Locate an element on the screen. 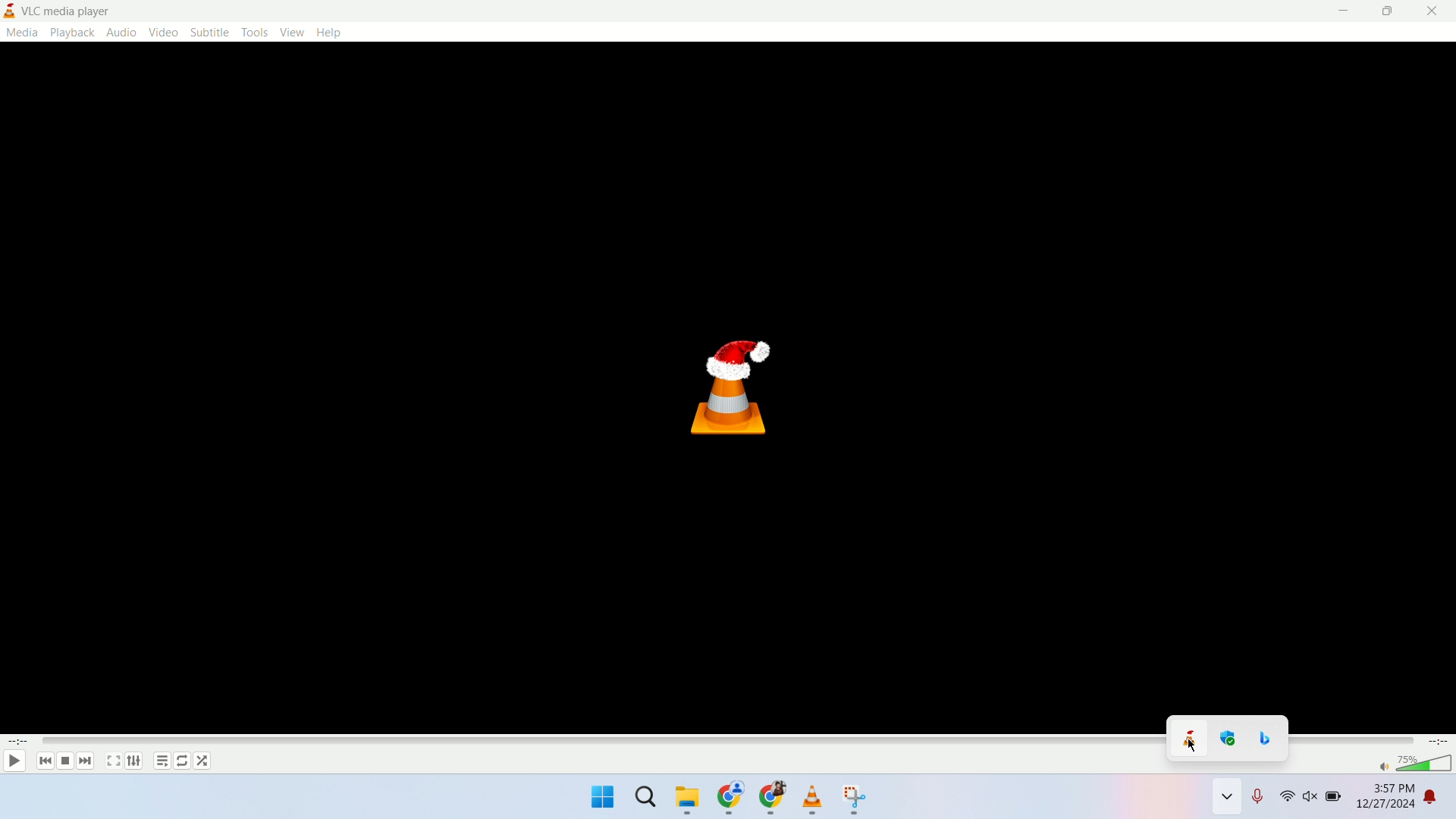 This screenshot has height=819, width=1456. mouse cursor is located at coordinates (1191, 745).